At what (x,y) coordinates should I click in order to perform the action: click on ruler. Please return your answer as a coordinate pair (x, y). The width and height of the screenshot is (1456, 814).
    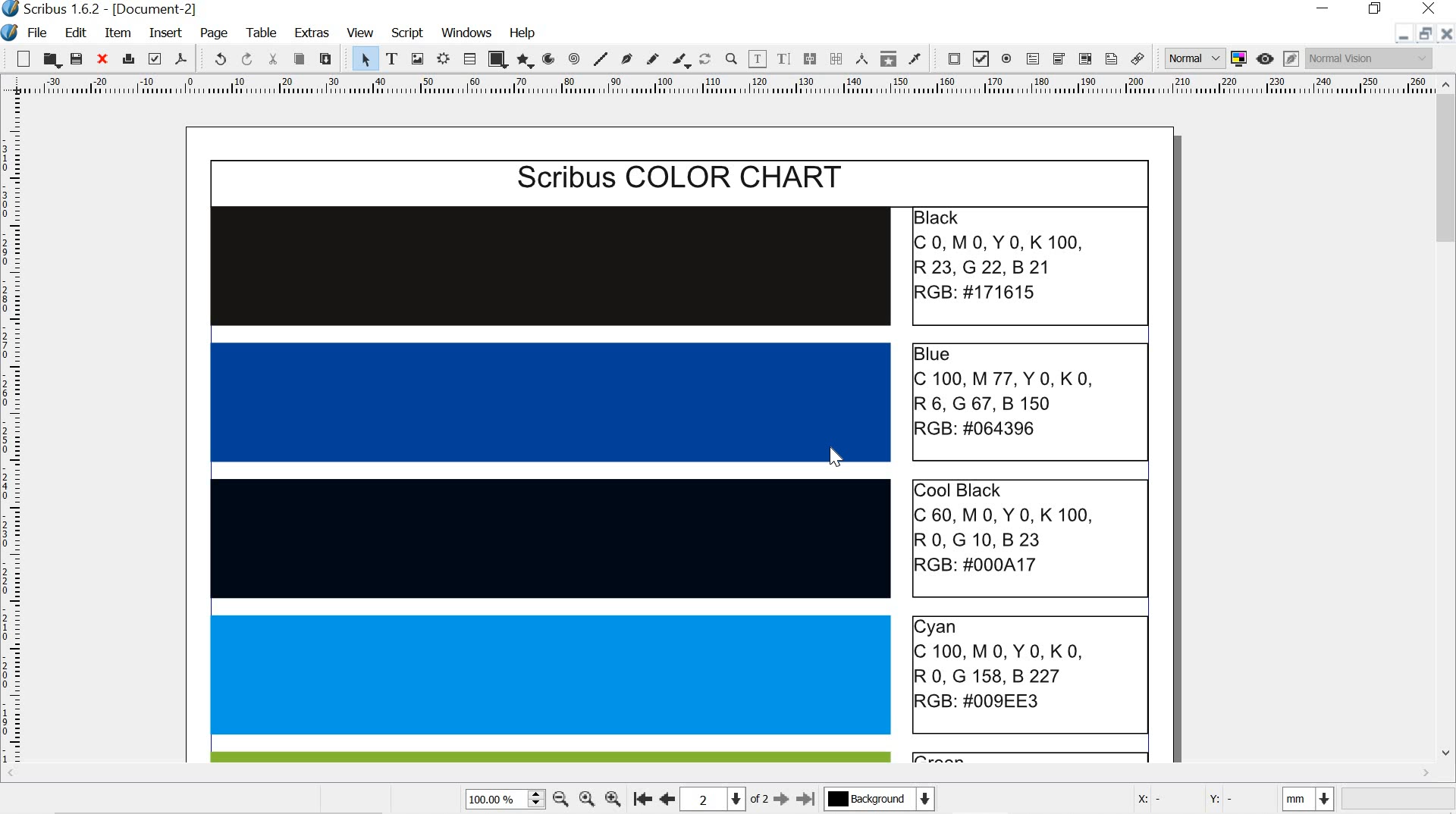
    Looking at the image, I should click on (715, 86).